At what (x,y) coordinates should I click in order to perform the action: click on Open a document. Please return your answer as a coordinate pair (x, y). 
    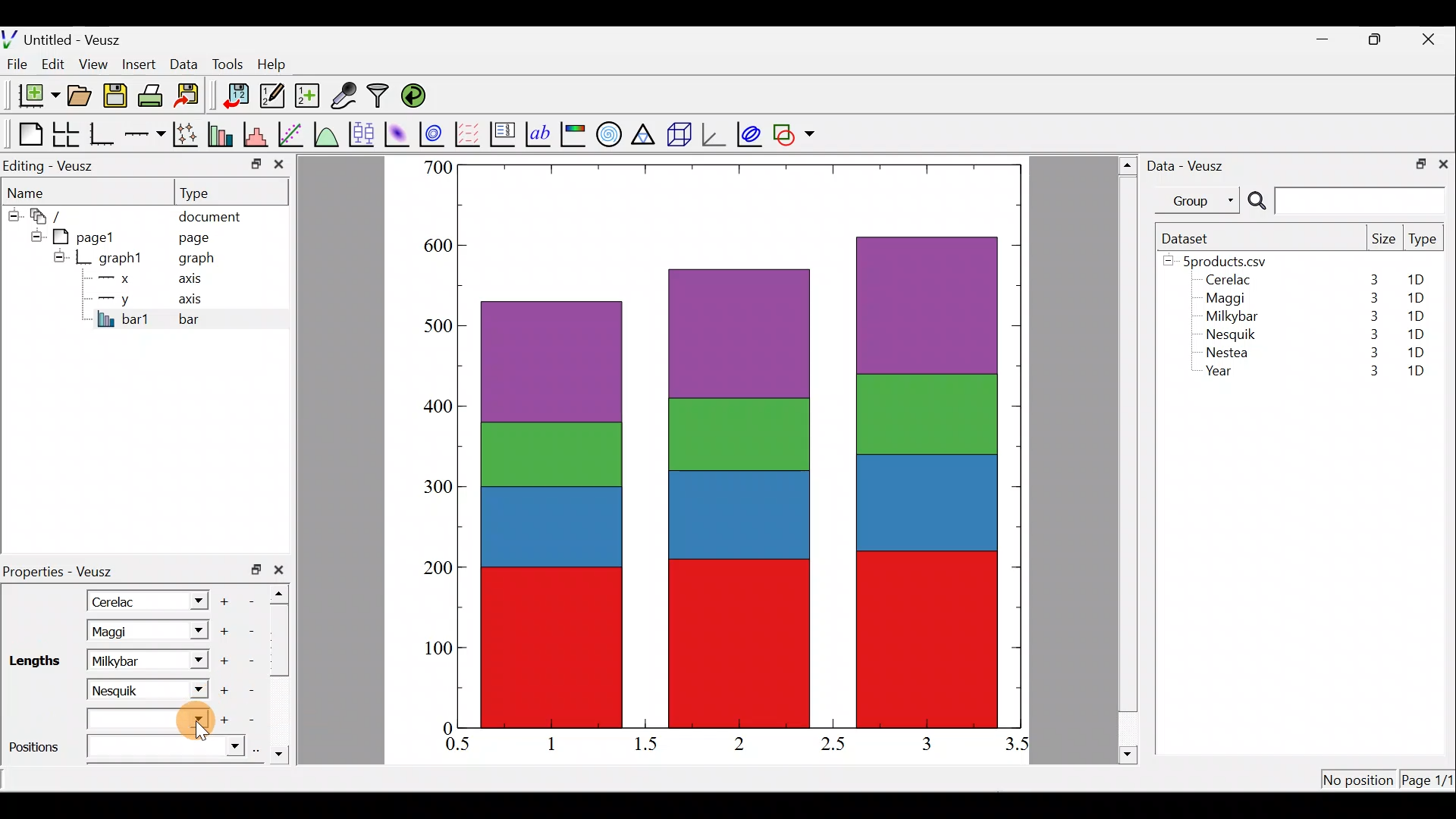
    Looking at the image, I should click on (81, 97).